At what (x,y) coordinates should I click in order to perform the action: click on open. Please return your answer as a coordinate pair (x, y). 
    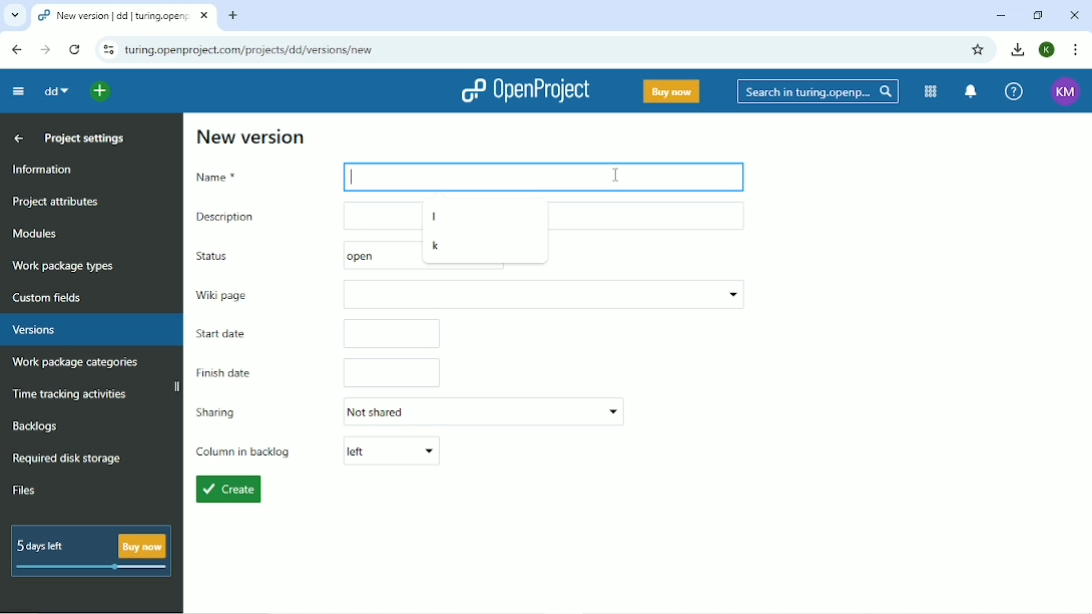
    Looking at the image, I should click on (355, 254).